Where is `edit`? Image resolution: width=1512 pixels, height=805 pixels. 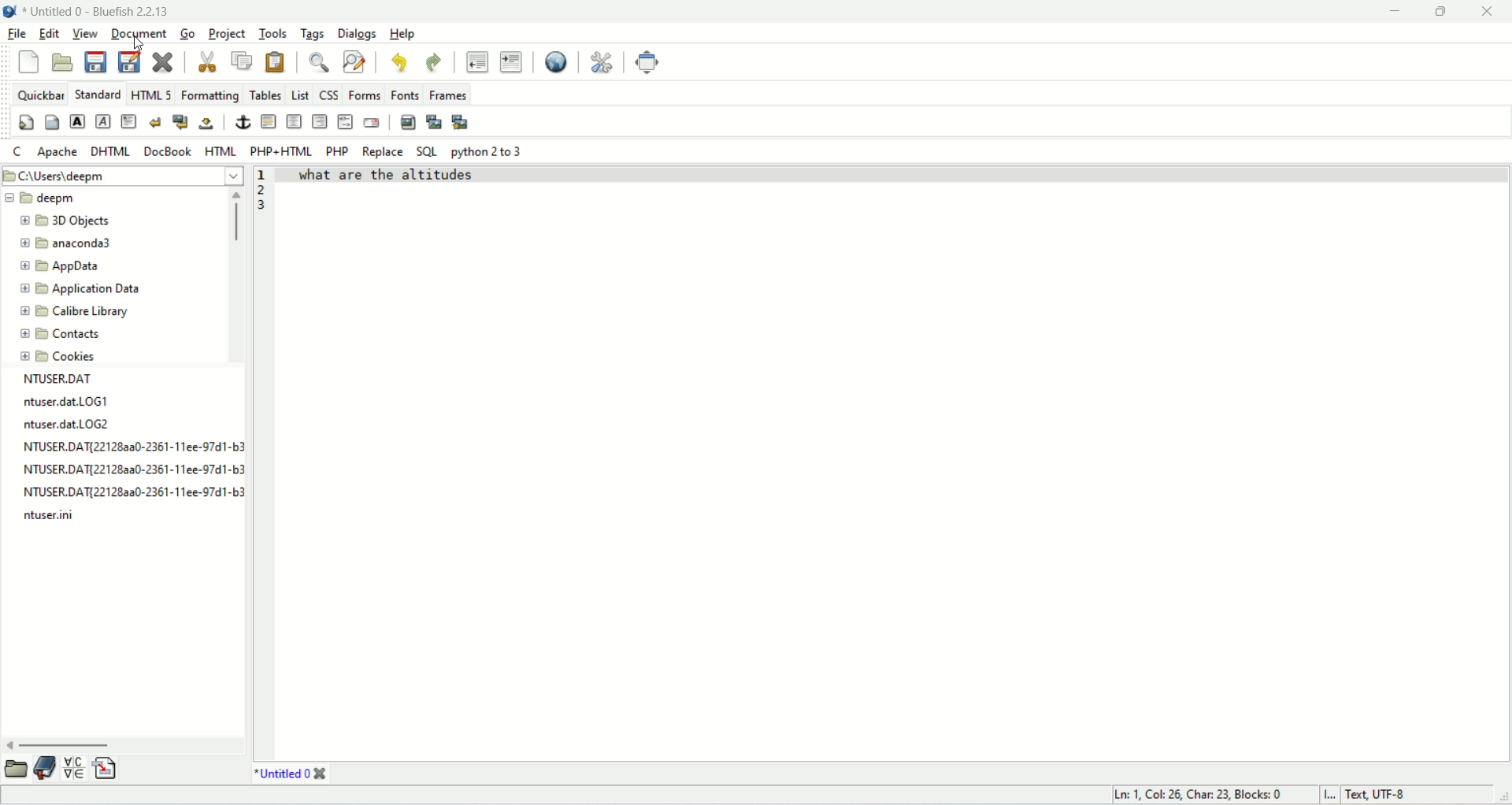 edit is located at coordinates (51, 33).